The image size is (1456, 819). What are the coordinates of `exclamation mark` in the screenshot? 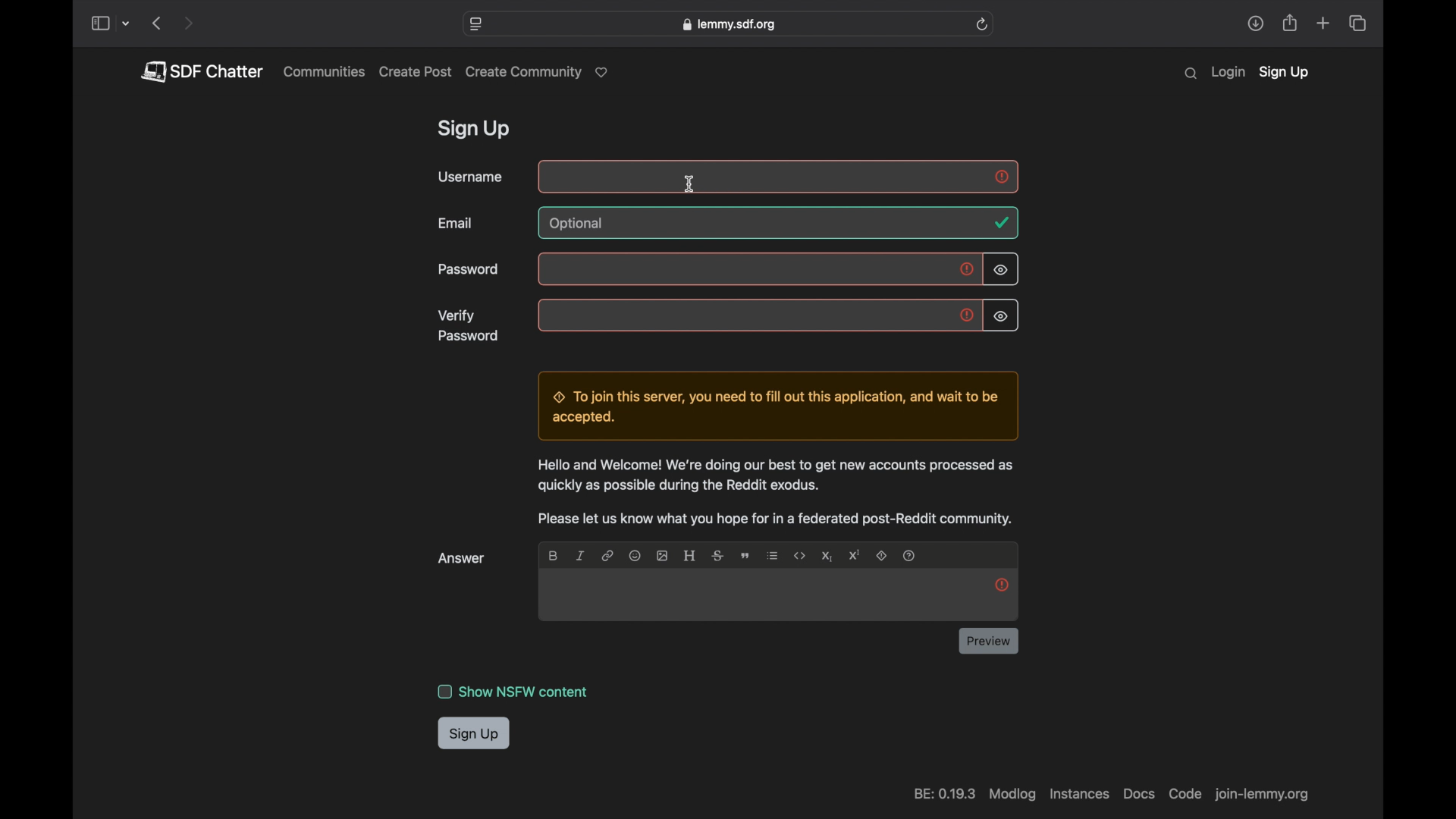 It's located at (1002, 177).